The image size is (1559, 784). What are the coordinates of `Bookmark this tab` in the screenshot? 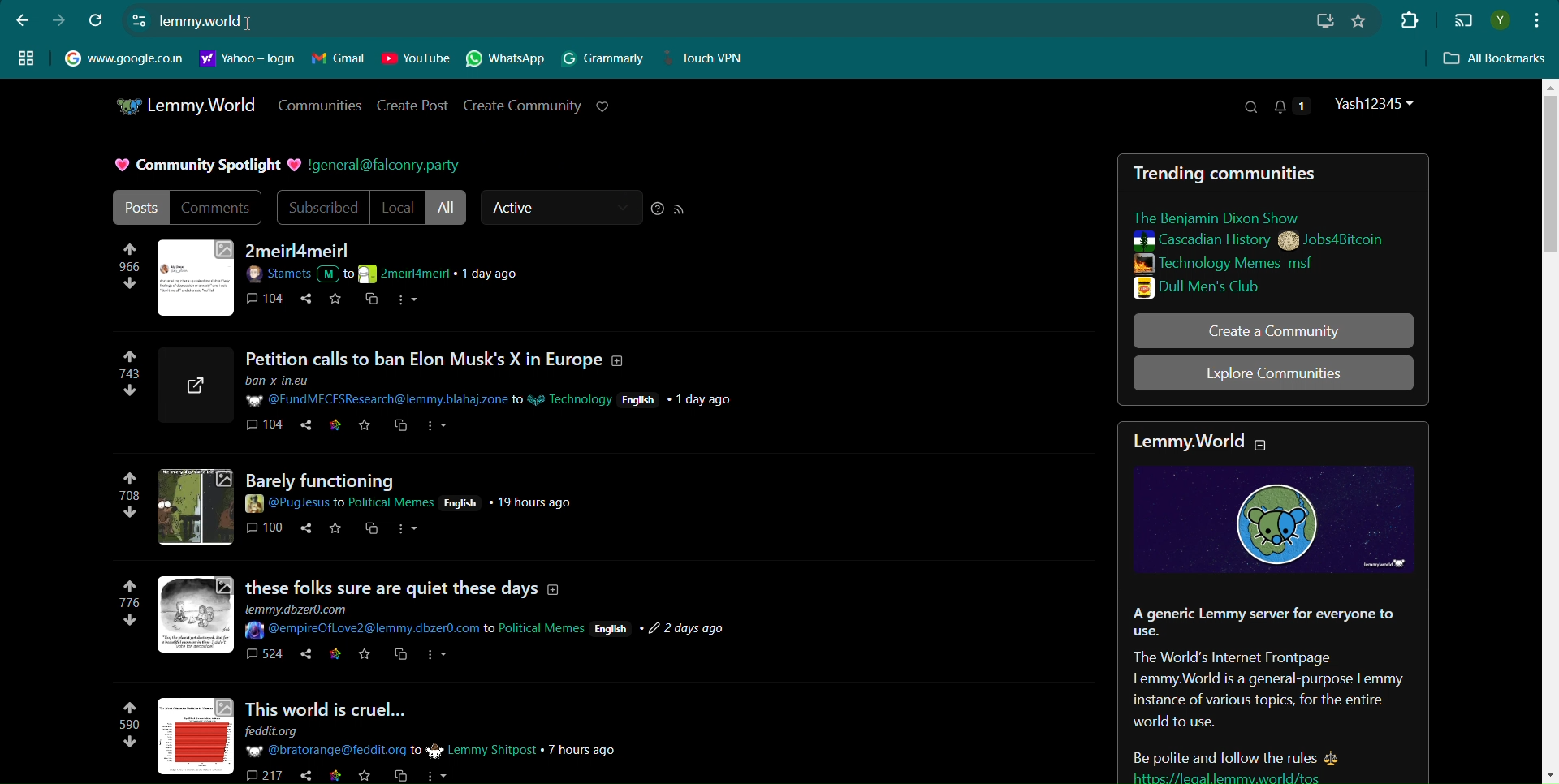 It's located at (1358, 20).